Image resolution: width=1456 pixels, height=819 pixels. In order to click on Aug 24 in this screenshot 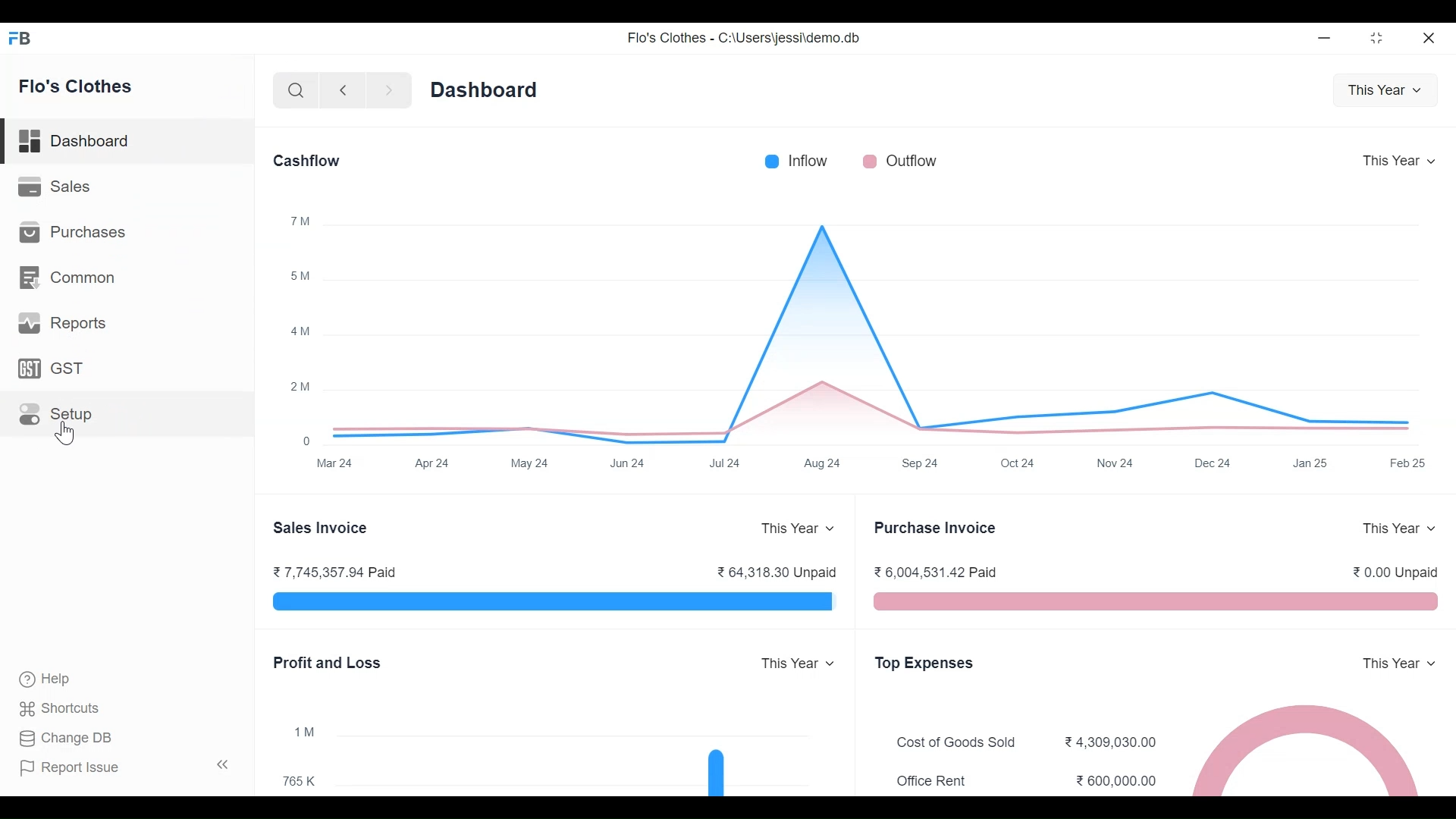, I will do `click(825, 464)`.